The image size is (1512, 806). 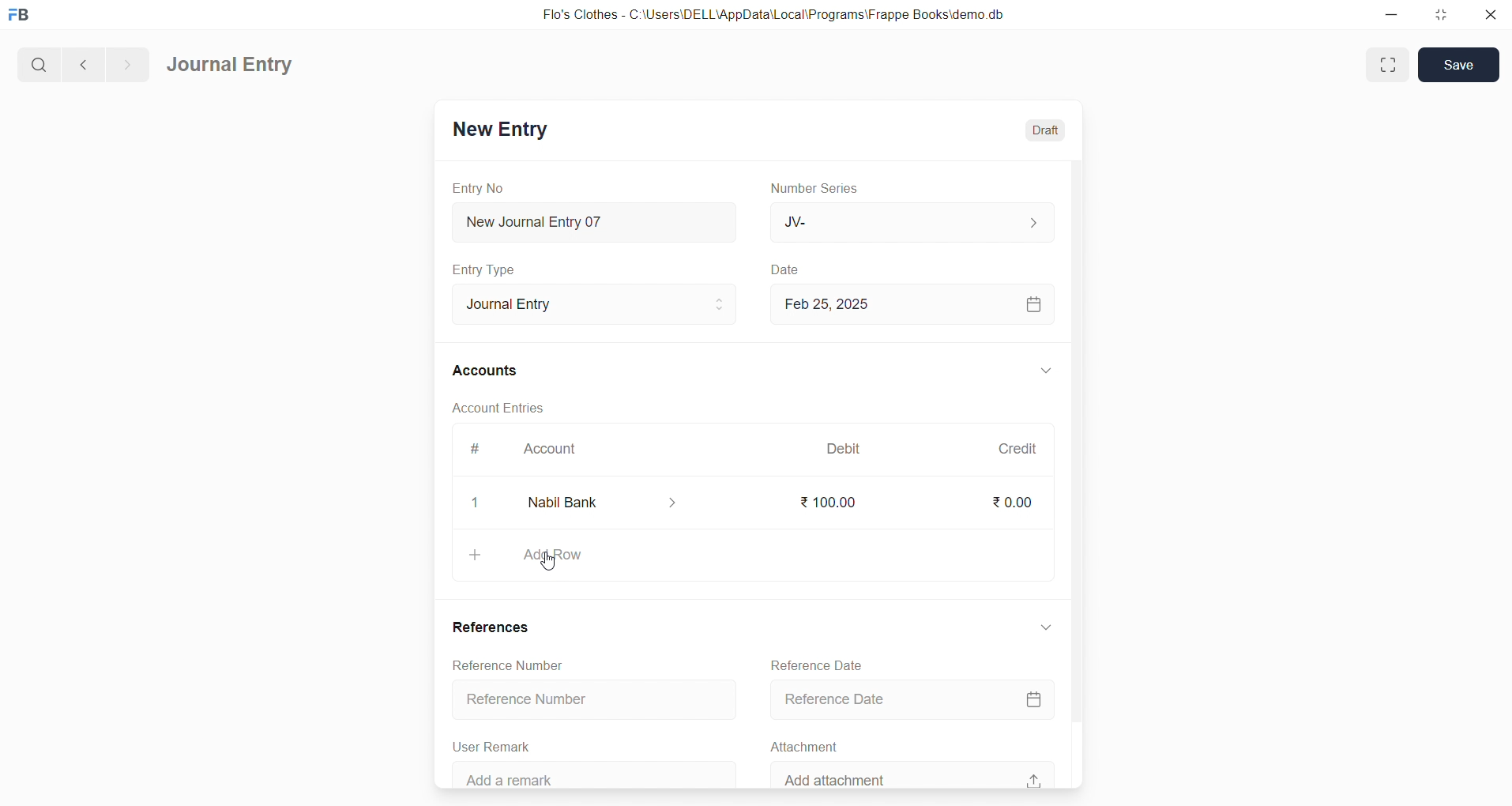 I want to click on ₹ 0.00, so click(x=1011, y=502).